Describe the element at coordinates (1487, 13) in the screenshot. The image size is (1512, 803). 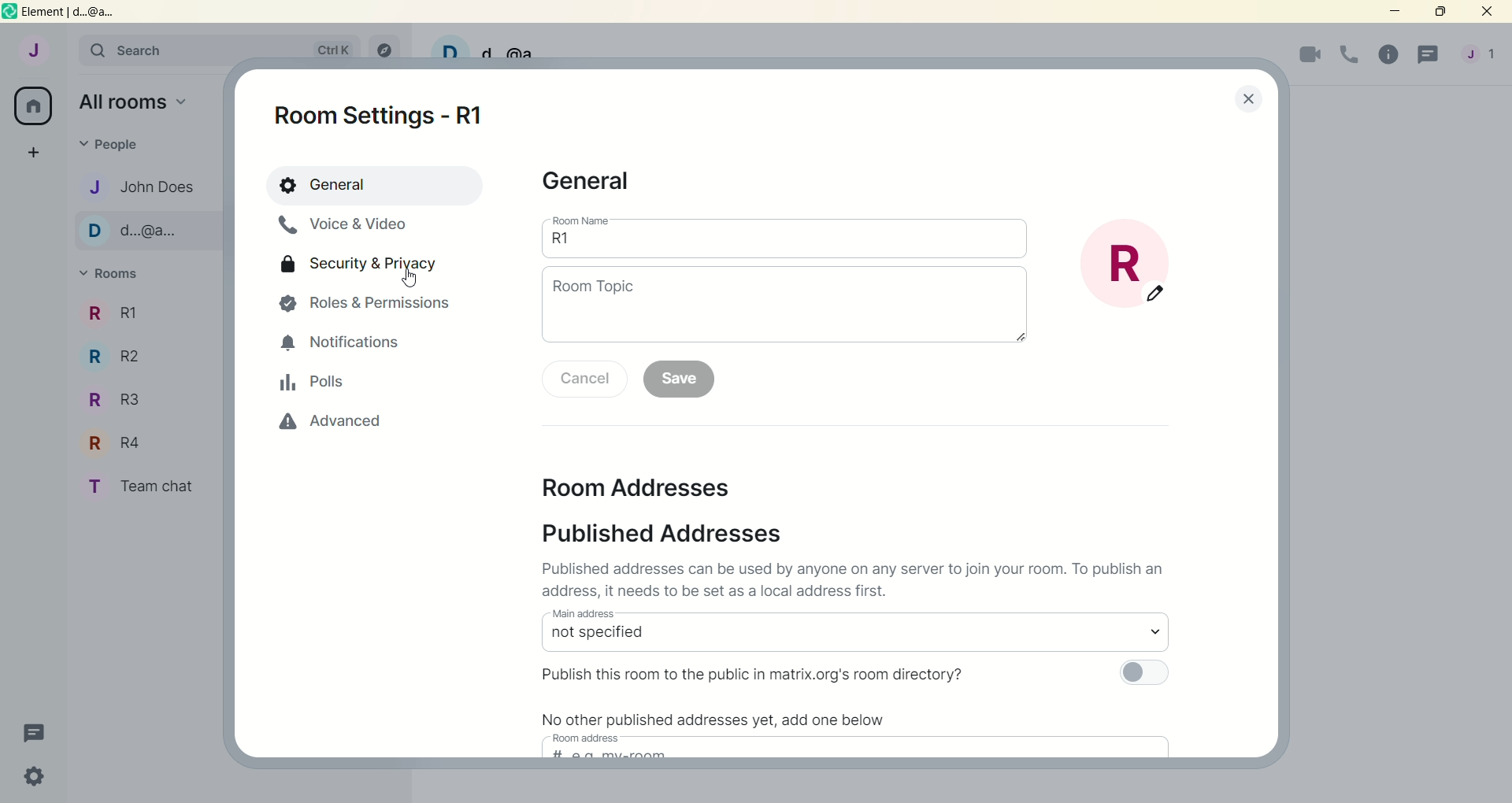
I see `close` at that location.